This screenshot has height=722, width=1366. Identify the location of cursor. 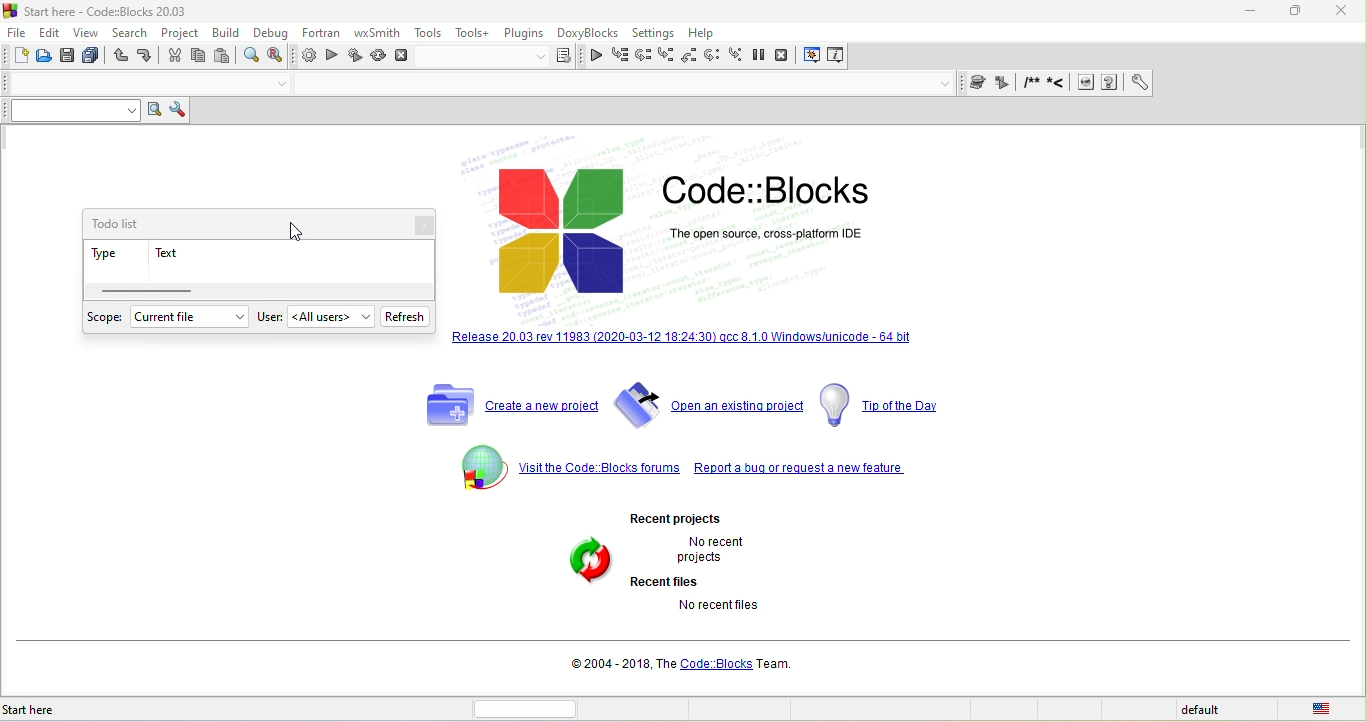
(294, 229).